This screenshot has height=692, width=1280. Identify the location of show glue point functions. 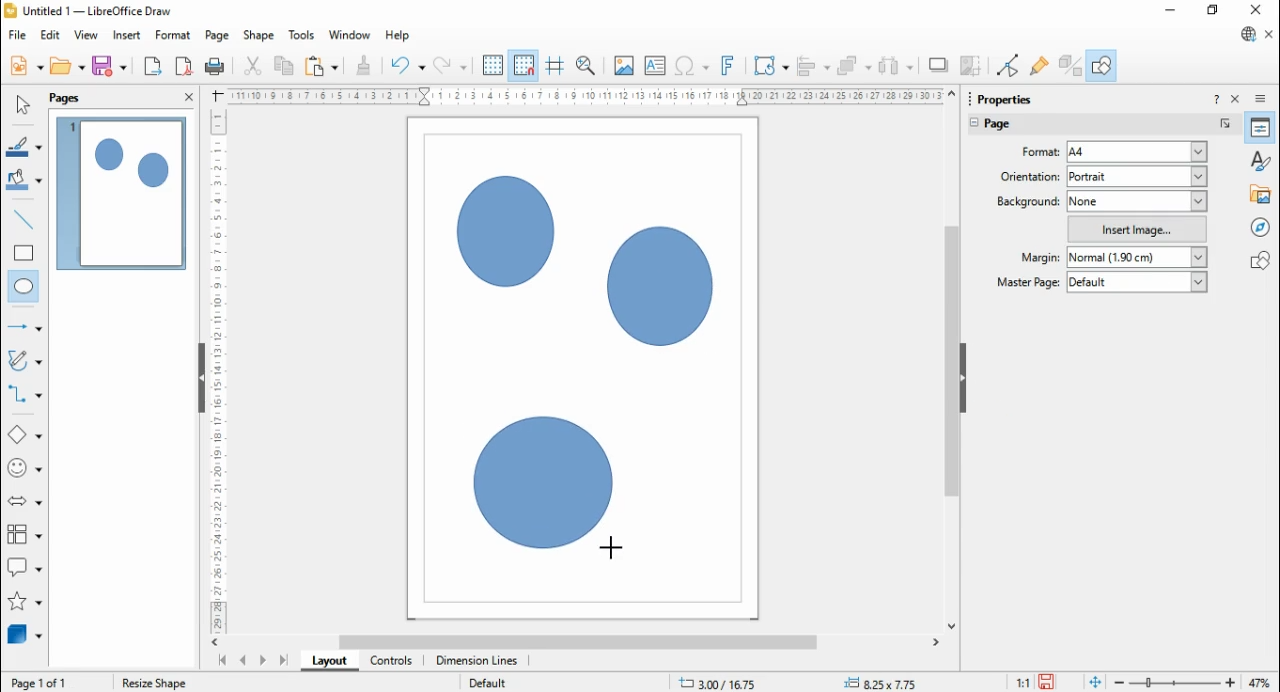
(1041, 65).